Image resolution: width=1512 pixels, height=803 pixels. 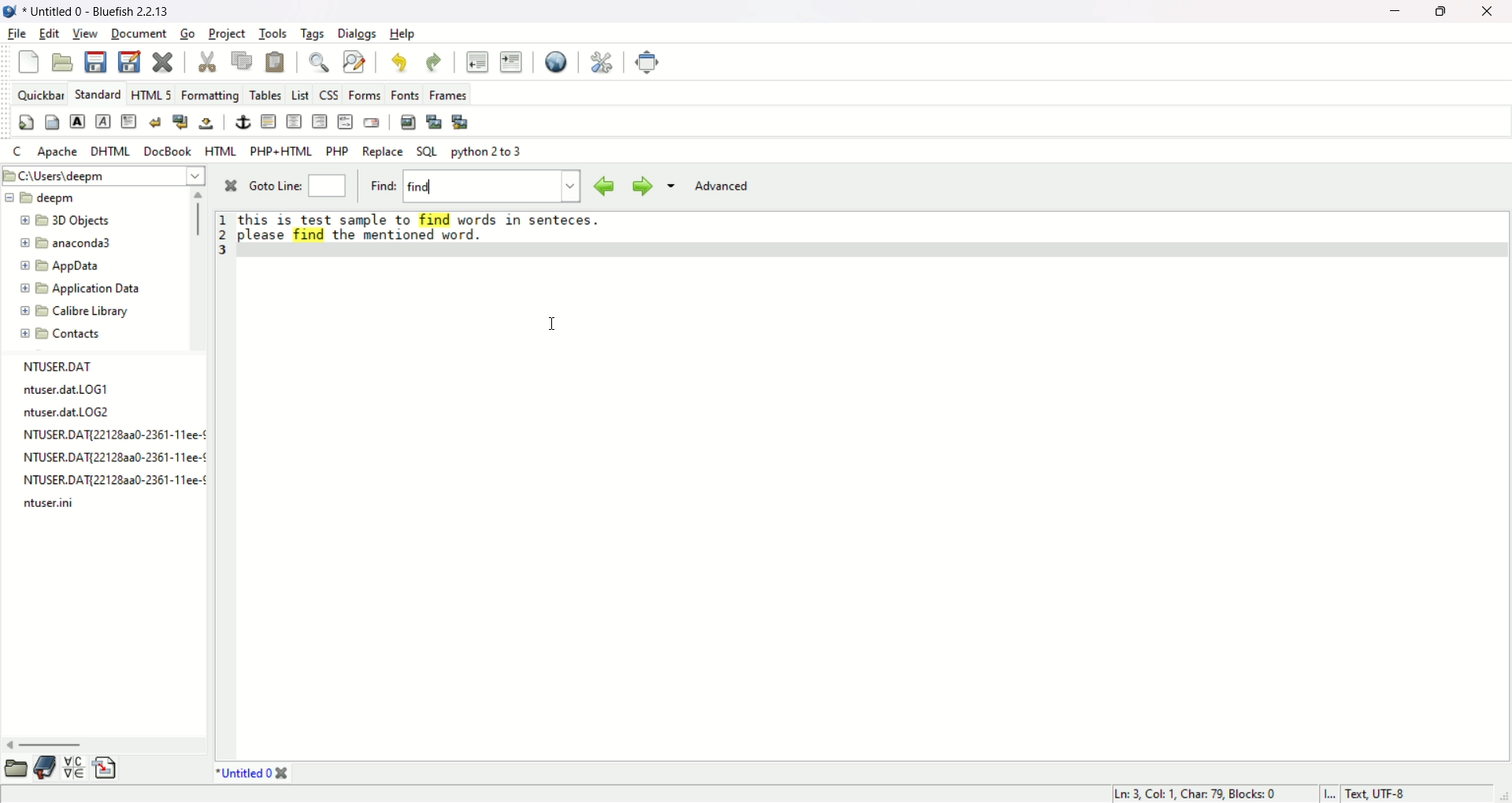 I want to click on file, so click(x=16, y=34).